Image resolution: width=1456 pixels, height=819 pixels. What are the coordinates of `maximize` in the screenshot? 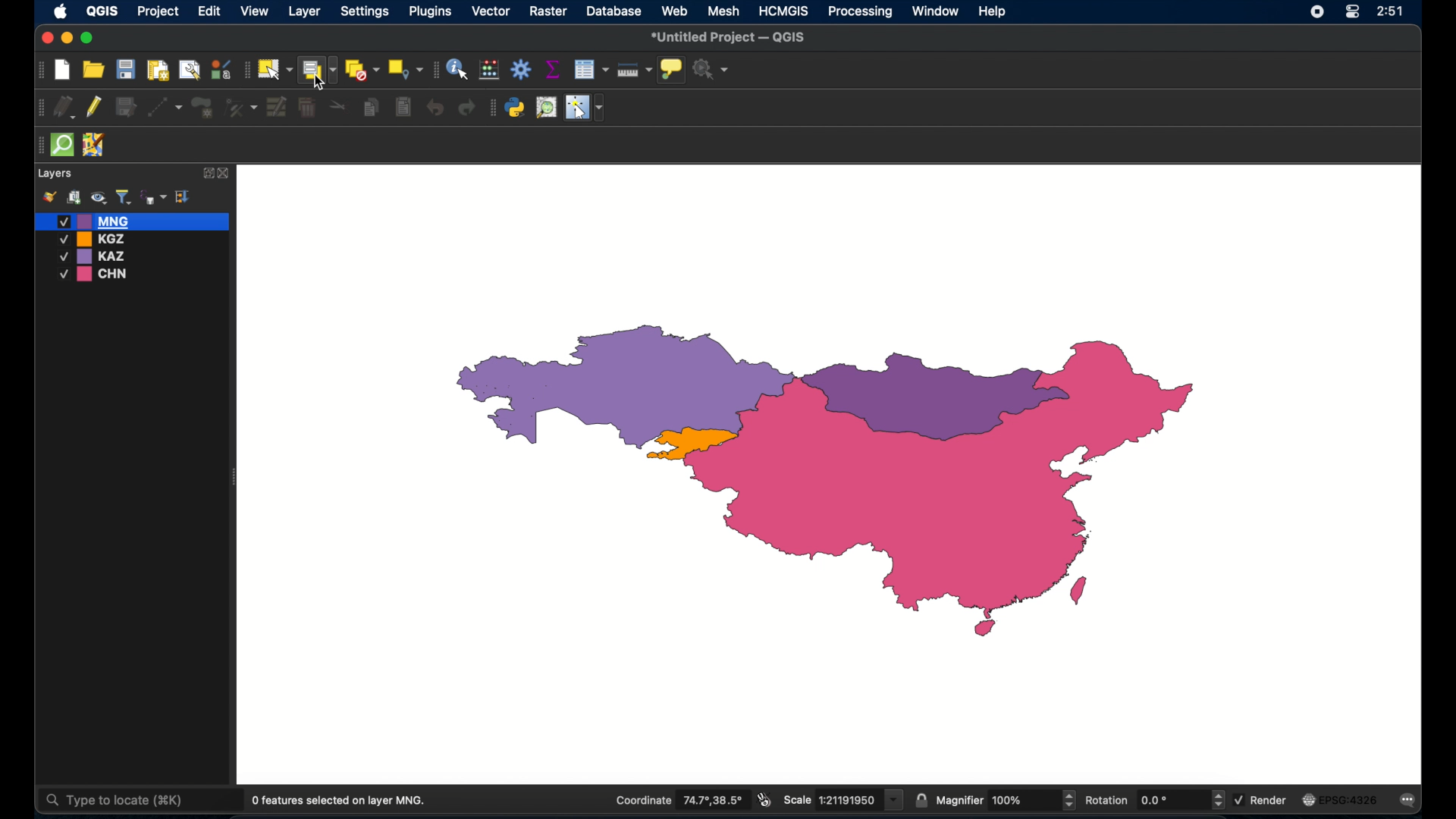 It's located at (88, 39).